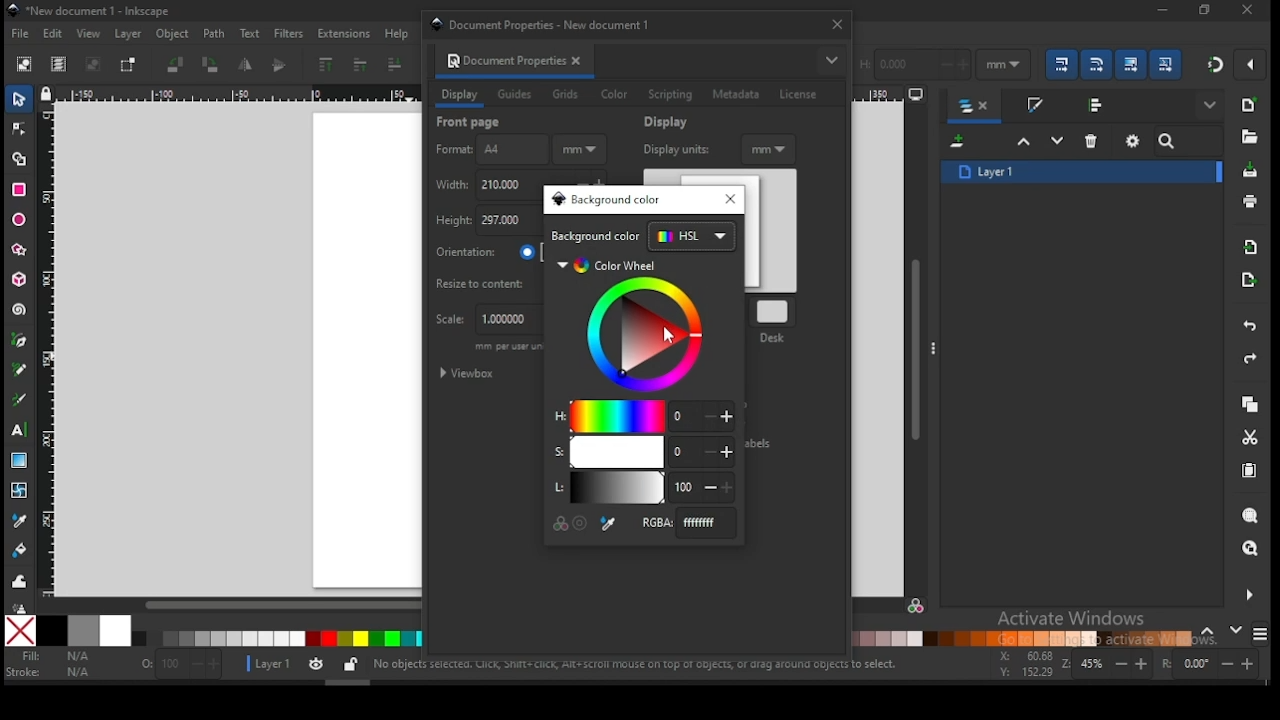  What do you see at coordinates (1165, 63) in the screenshot?
I see `move patterns along with objects` at bounding box center [1165, 63].